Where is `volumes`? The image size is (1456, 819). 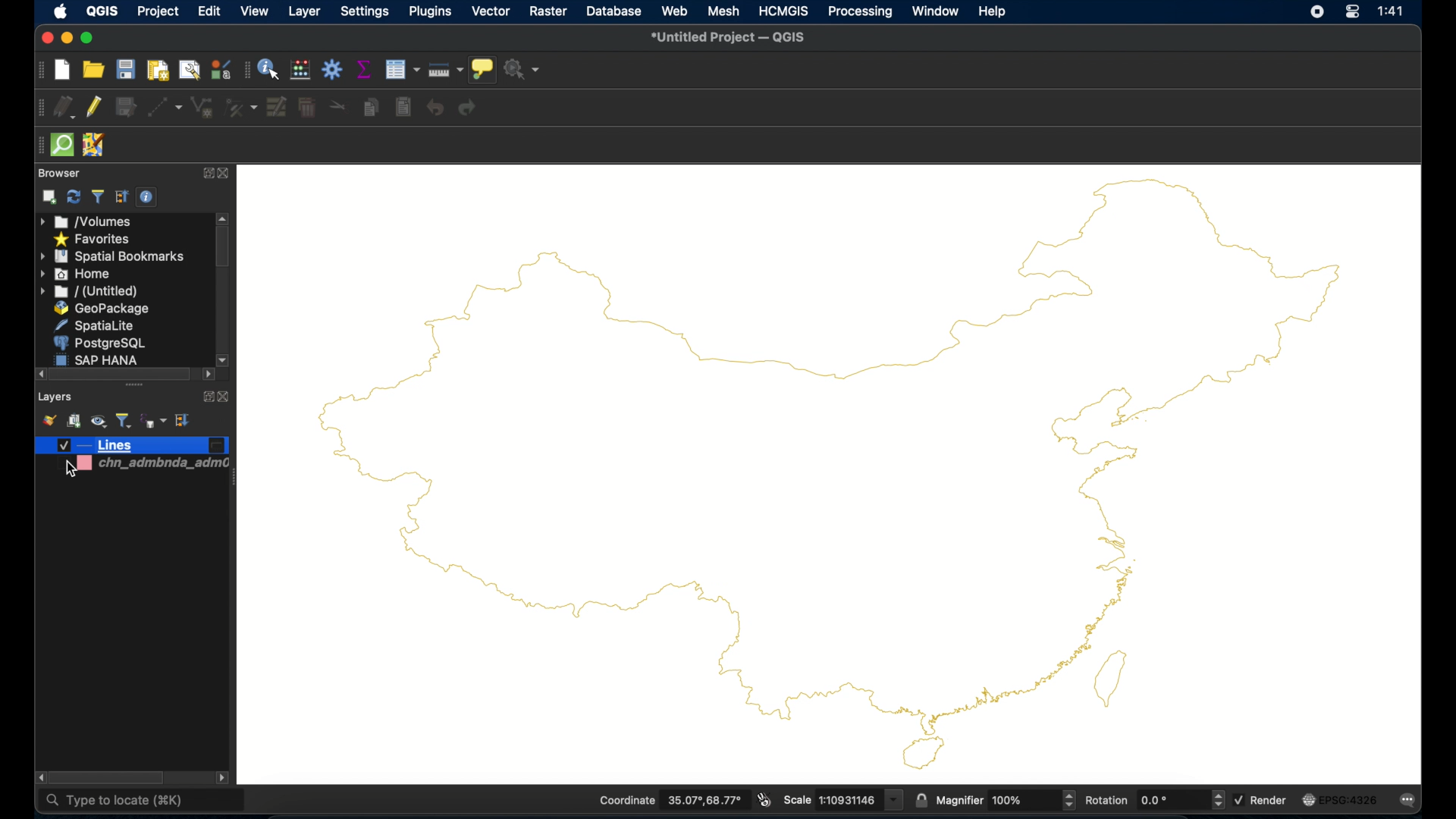
volumes is located at coordinates (86, 221).